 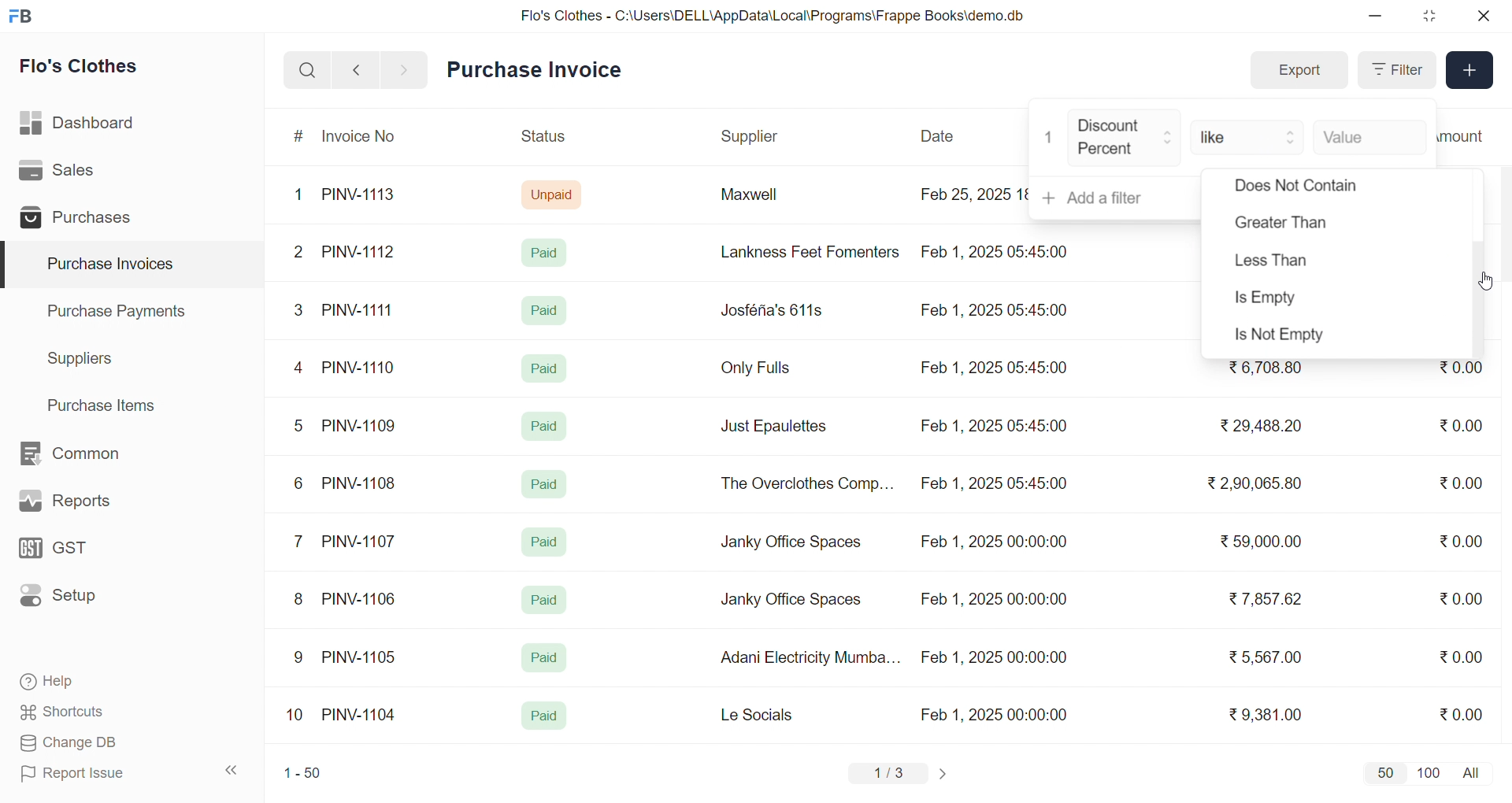 I want to click on ₹0.00, so click(x=1466, y=539).